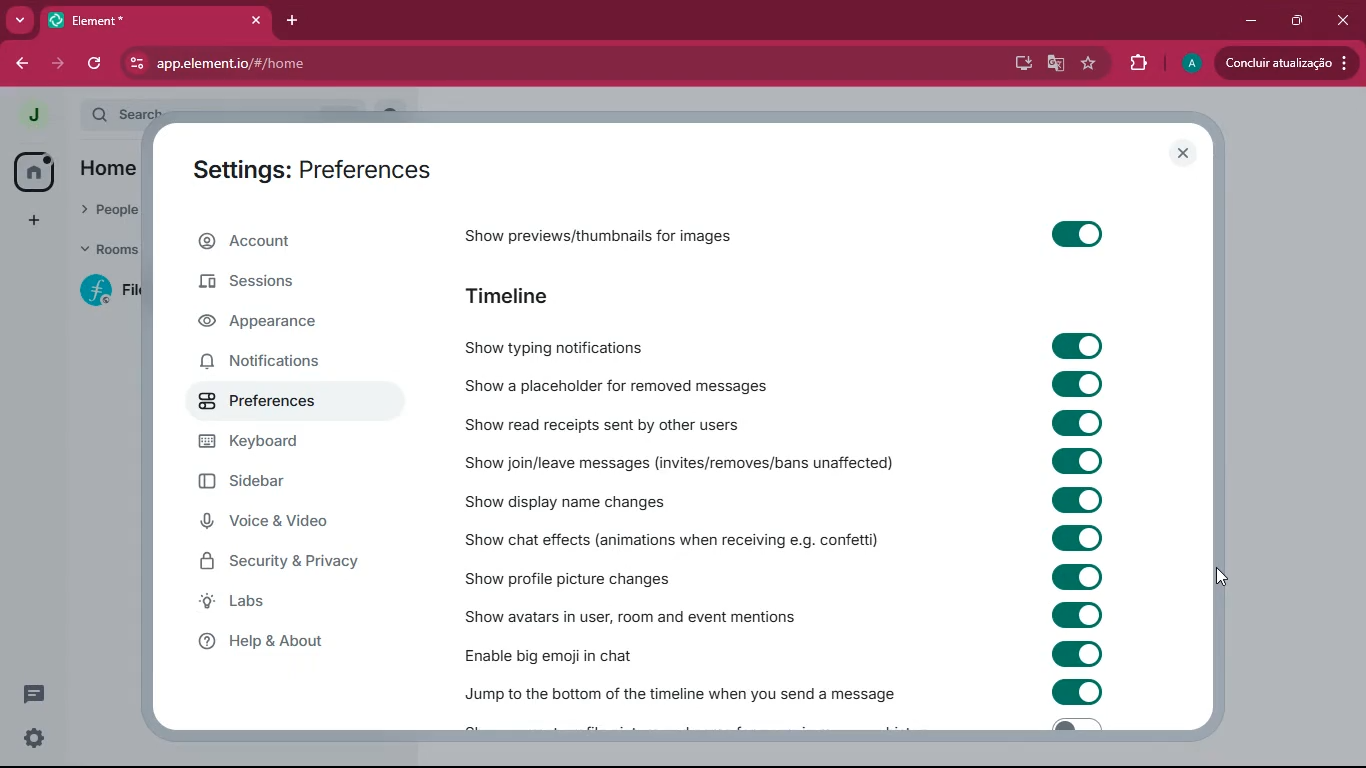 The width and height of the screenshot is (1366, 768). Describe the element at coordinates (1076, 422) in the screenshot. I see `toggle on ` at that location.